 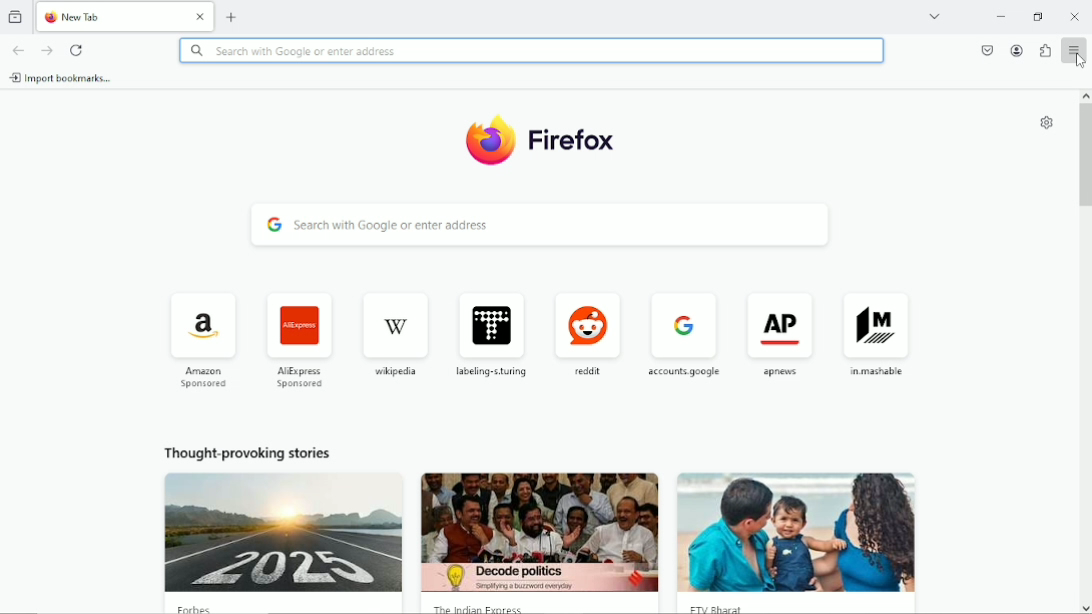 What do you see at coordinates (999, 15) in the screenshot?
I see `minimize` at bounding box center [999, 15].